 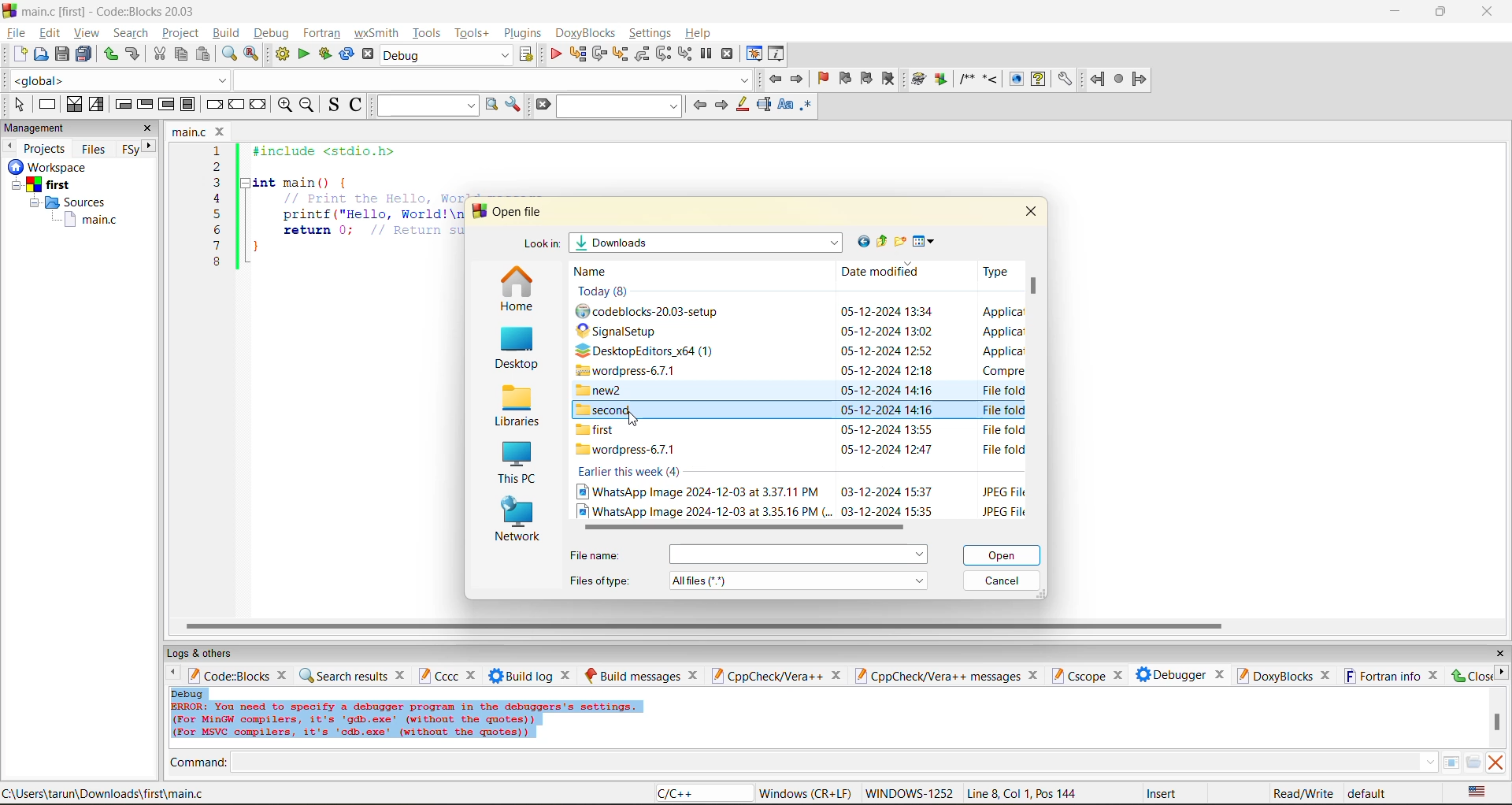 What do you see at coordinates (861, 241) in the screenshot?
I see `go to last` at bounding box center [861, 241].